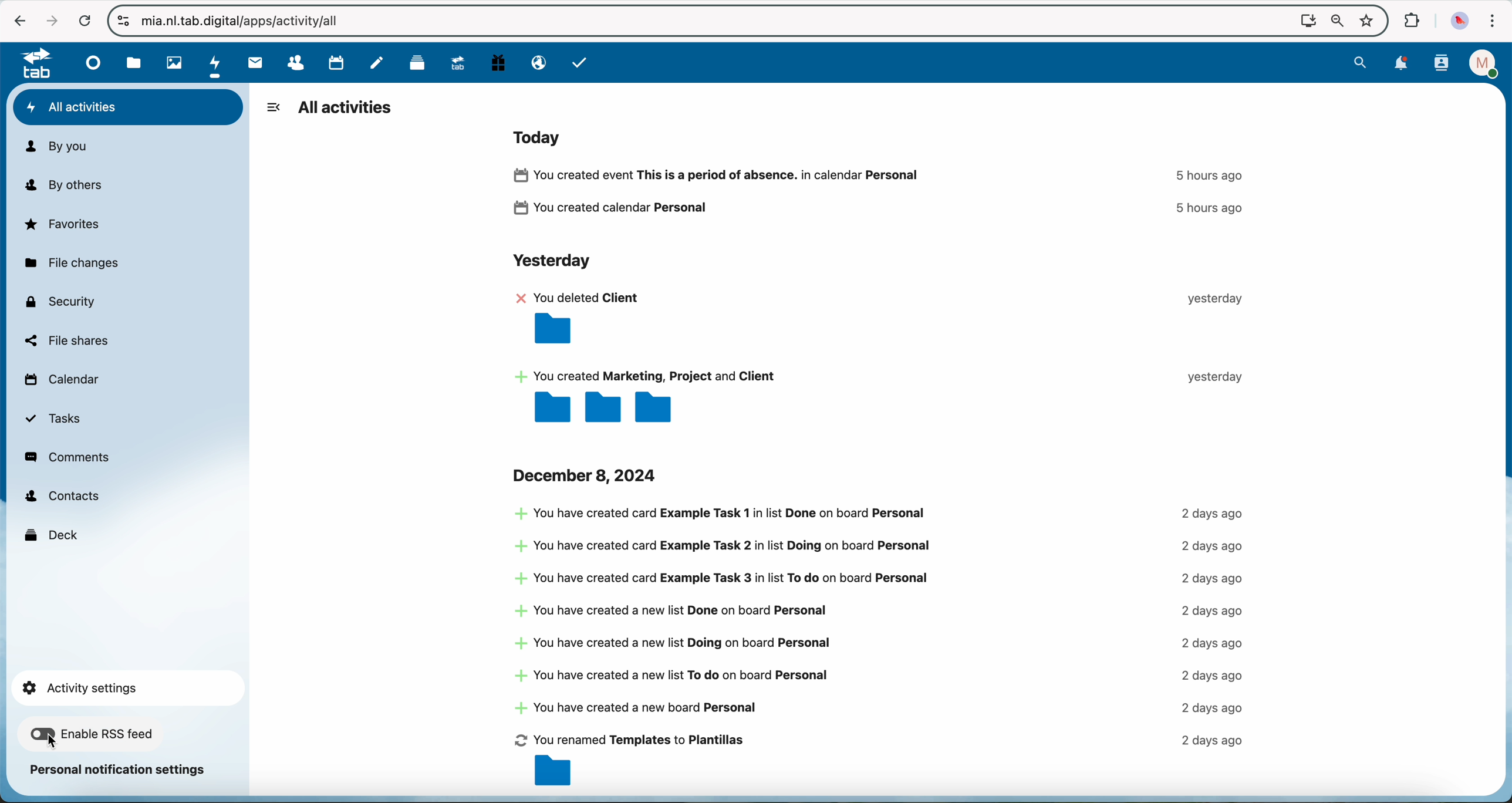 The image size is (1512, 803). I want to click on yesterday, so click(550, 262).